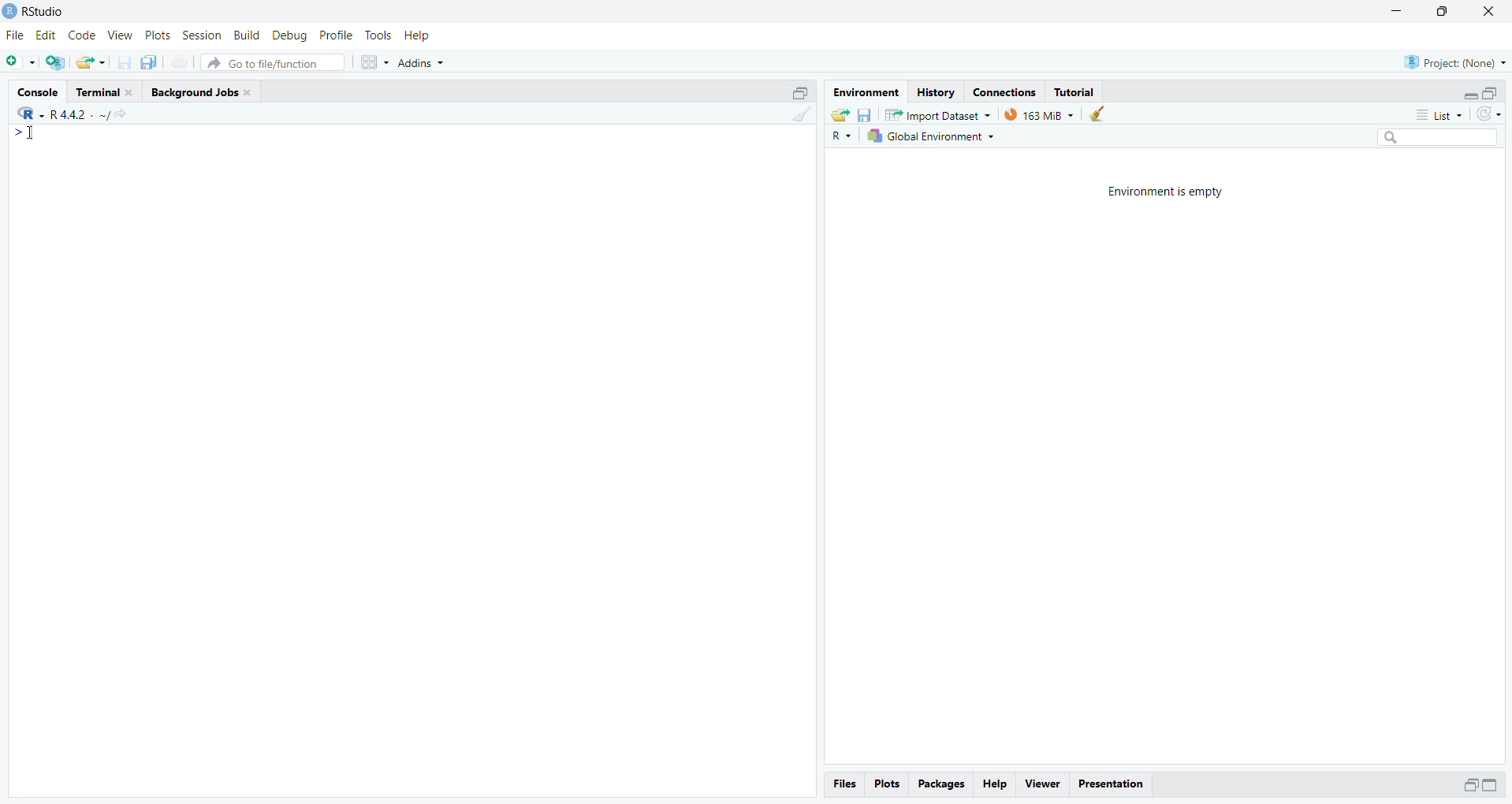 The height and width of the screenshot is (804, 1512). What do you see at coordinates (1455, 62) in the screenshot?
I see `Project: (None)` at bounding box center [1455, 62].